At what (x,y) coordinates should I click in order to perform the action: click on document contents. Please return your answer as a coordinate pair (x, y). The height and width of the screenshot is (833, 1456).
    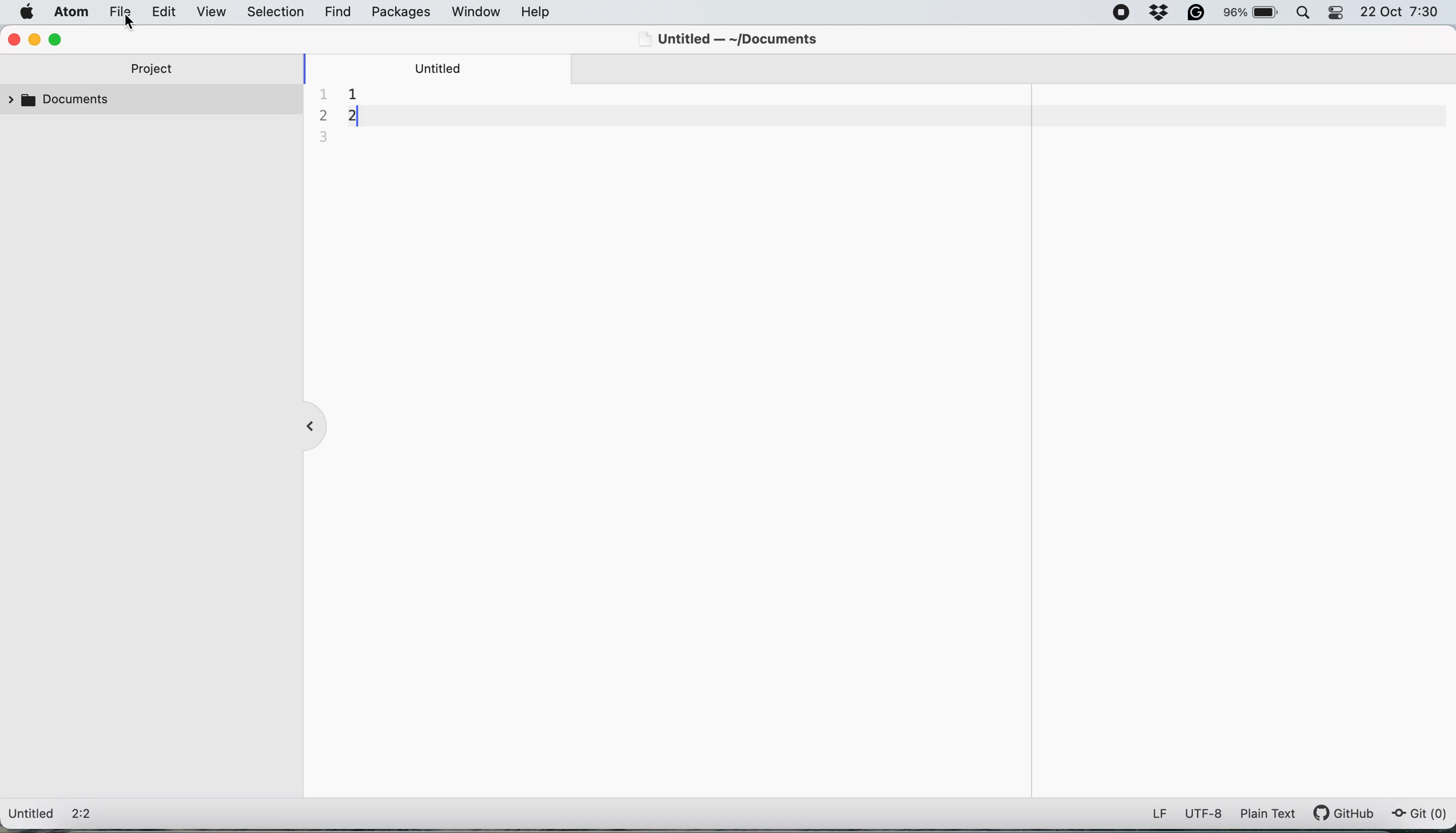
    Looking at the image, I should click on (351, 114).